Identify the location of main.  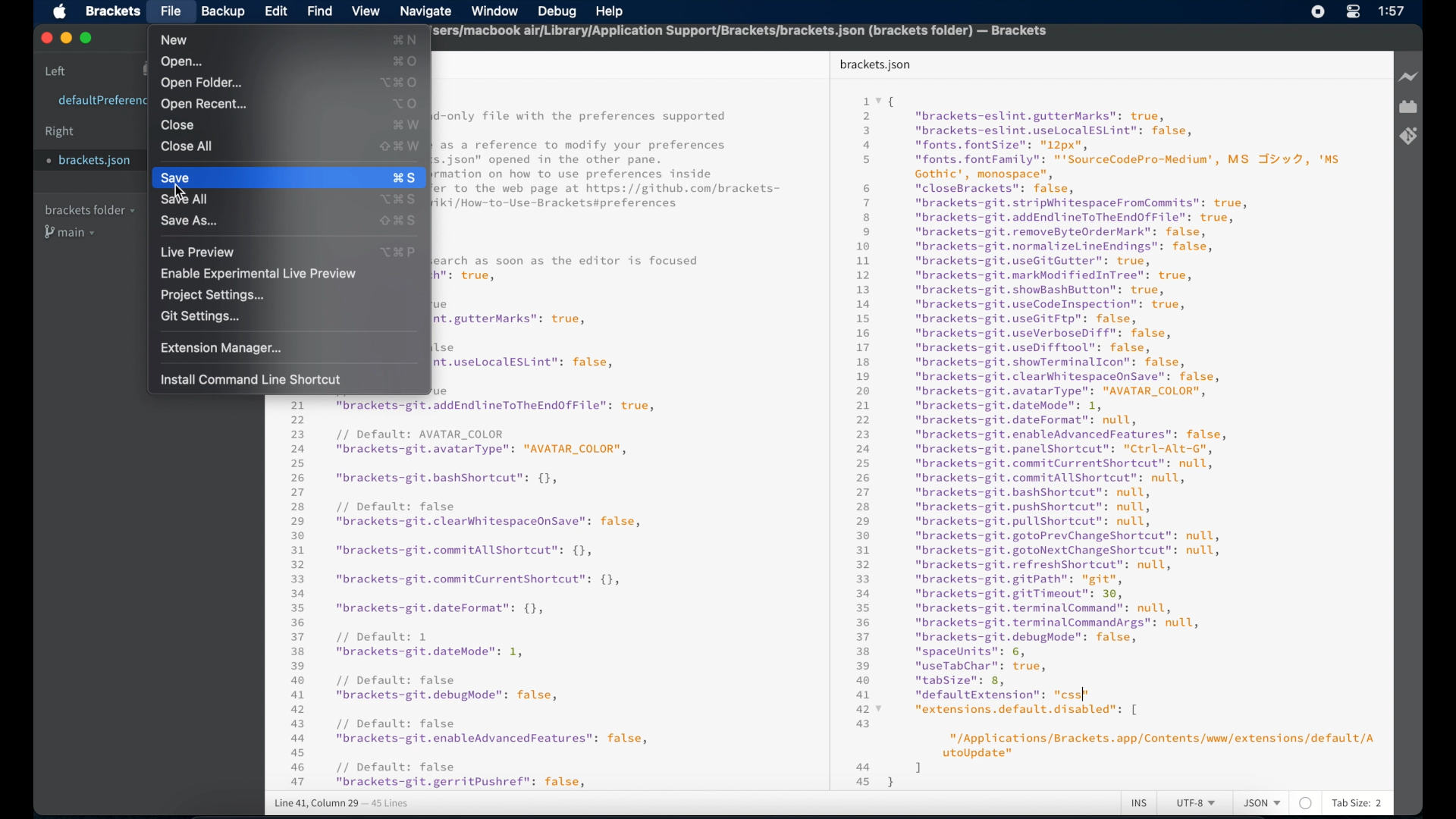
(72, 232).